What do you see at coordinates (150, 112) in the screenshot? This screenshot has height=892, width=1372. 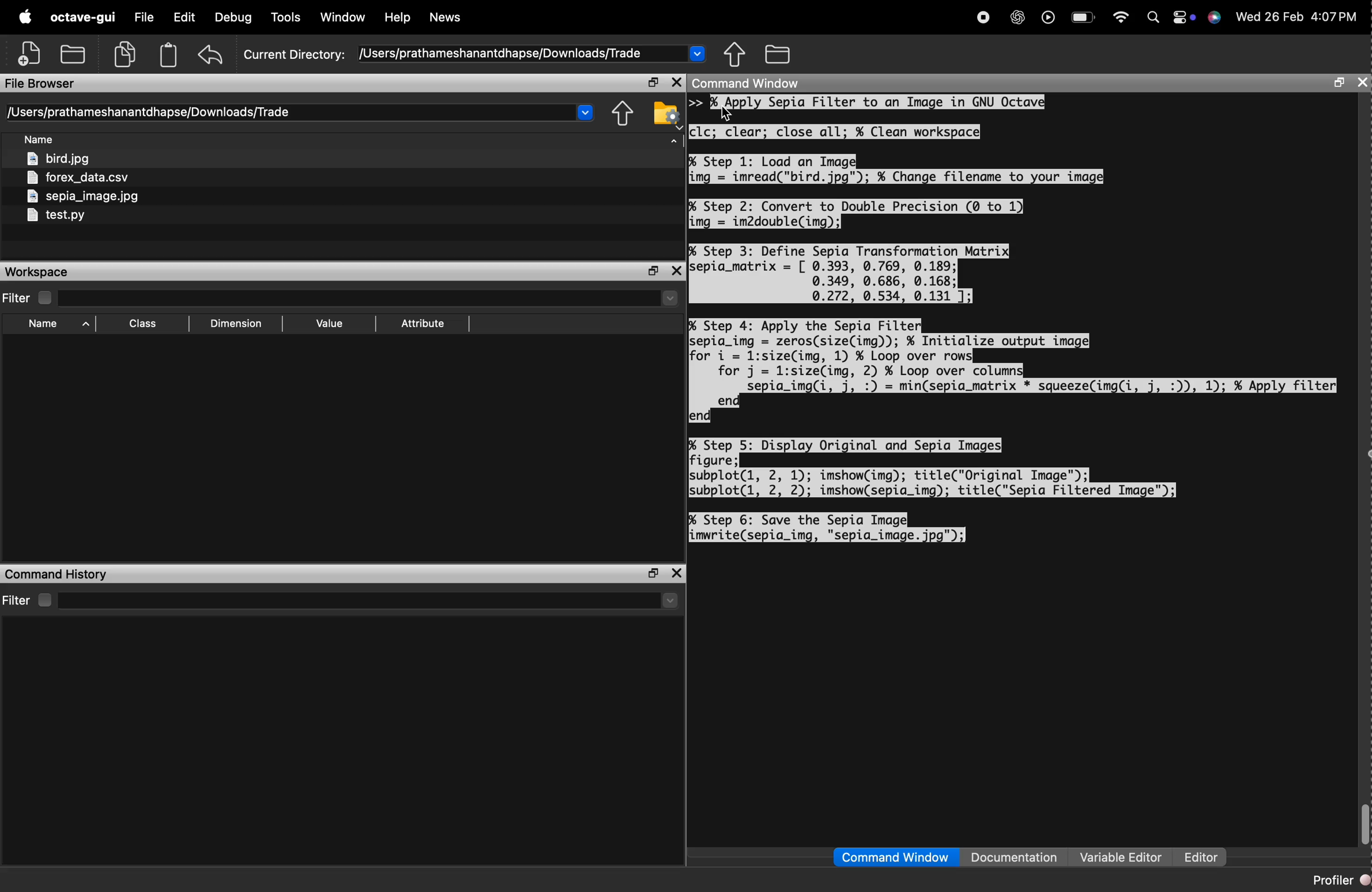 I see `/Users/prathameshanantdhapse/Downloads/Trade` at bounding box center [150, 112].